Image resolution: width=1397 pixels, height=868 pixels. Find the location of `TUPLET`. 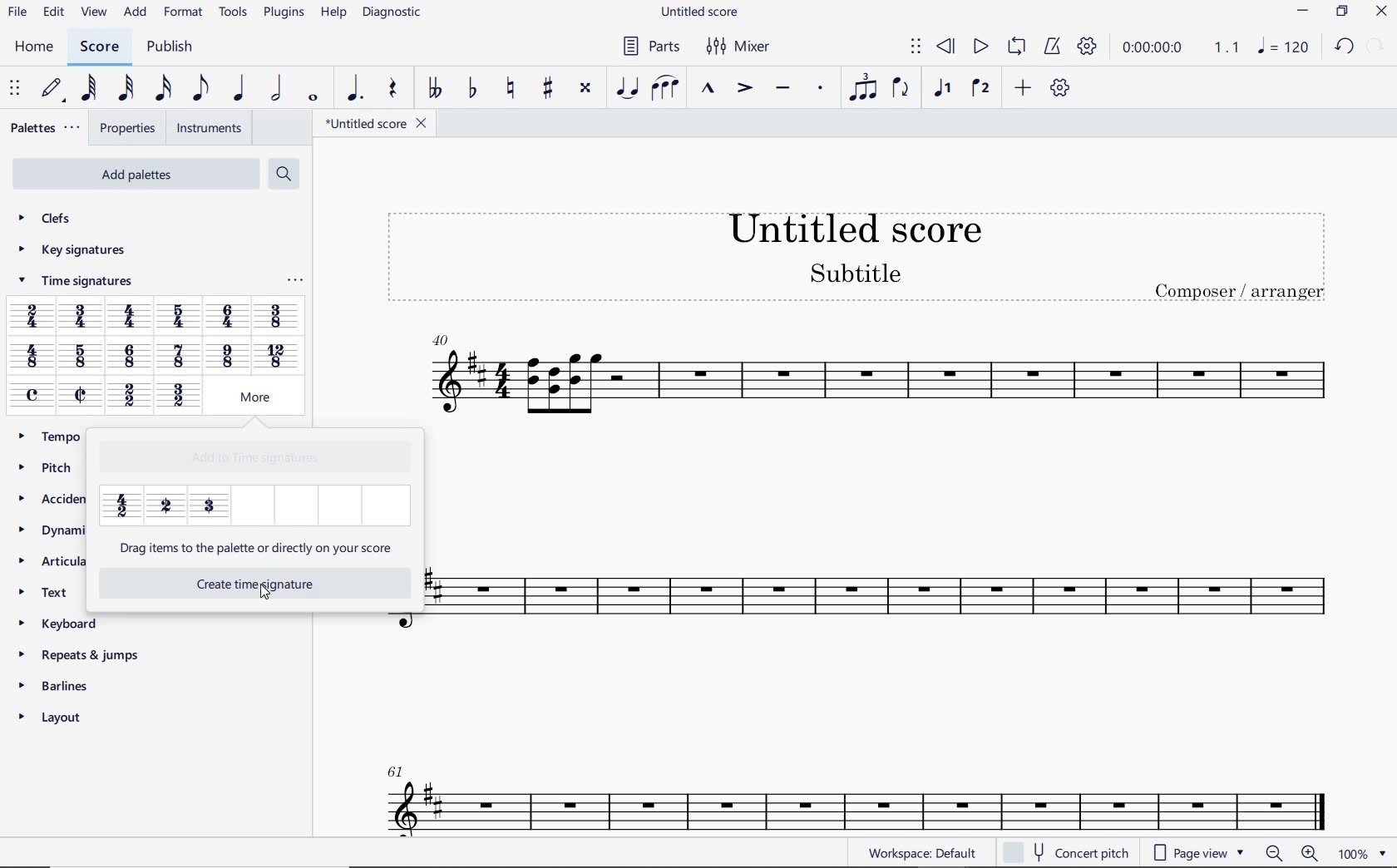

TUPLET is located at coordinates (861, 89).